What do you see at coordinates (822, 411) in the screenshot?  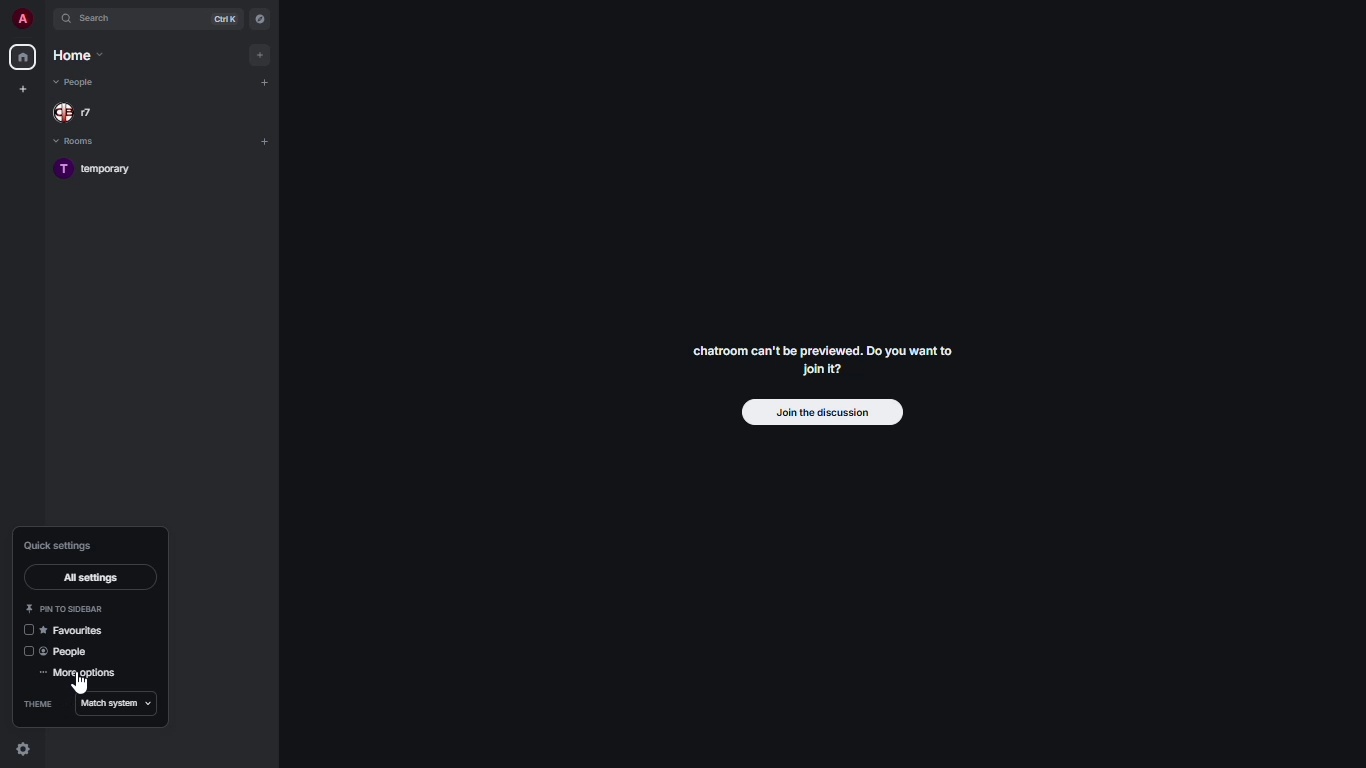 I see `join the discussion` at bounding box center [822, 411].